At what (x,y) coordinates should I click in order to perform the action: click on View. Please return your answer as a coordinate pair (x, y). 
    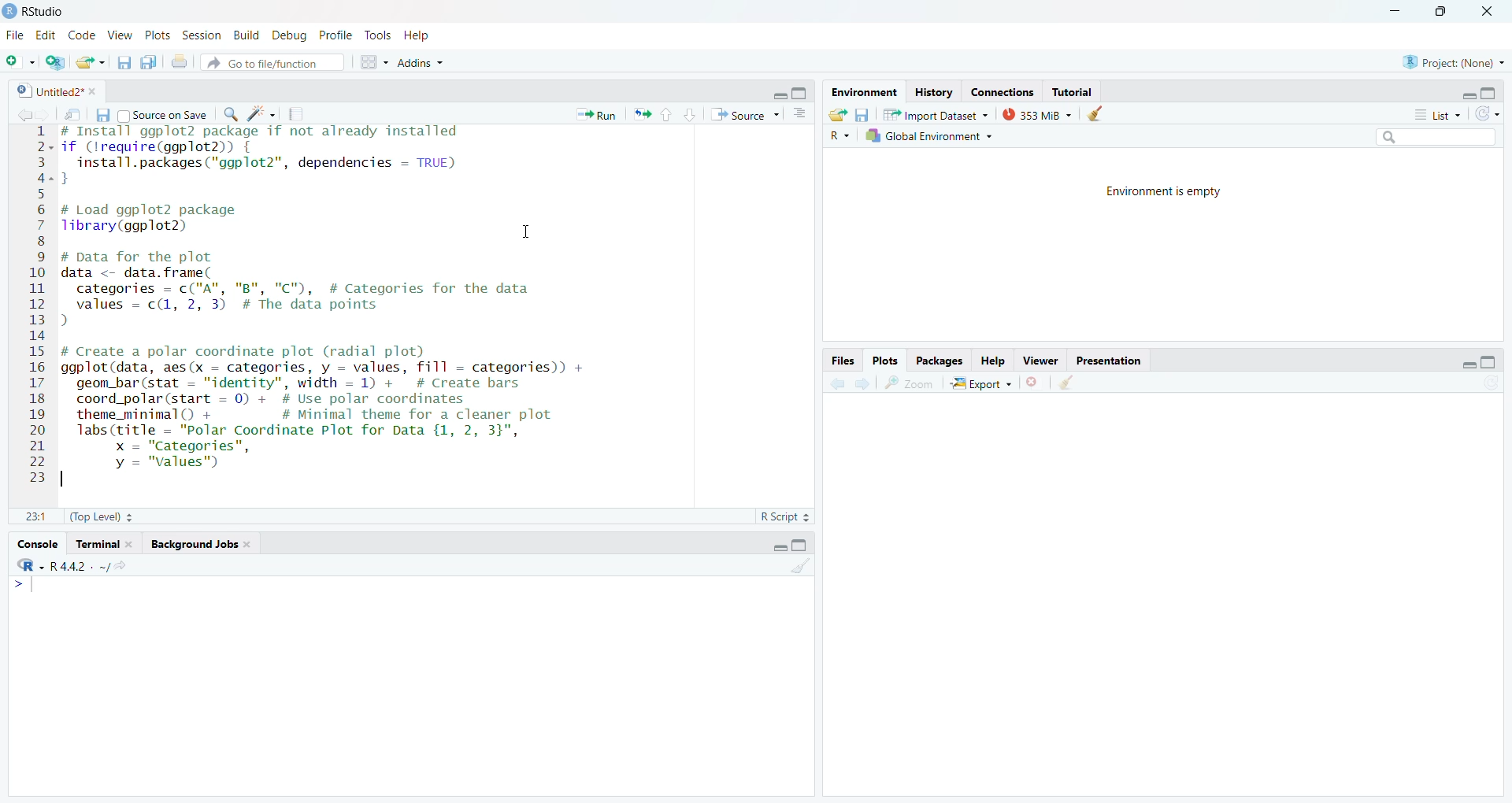
    Looking at the image, I should click on (119, 36).